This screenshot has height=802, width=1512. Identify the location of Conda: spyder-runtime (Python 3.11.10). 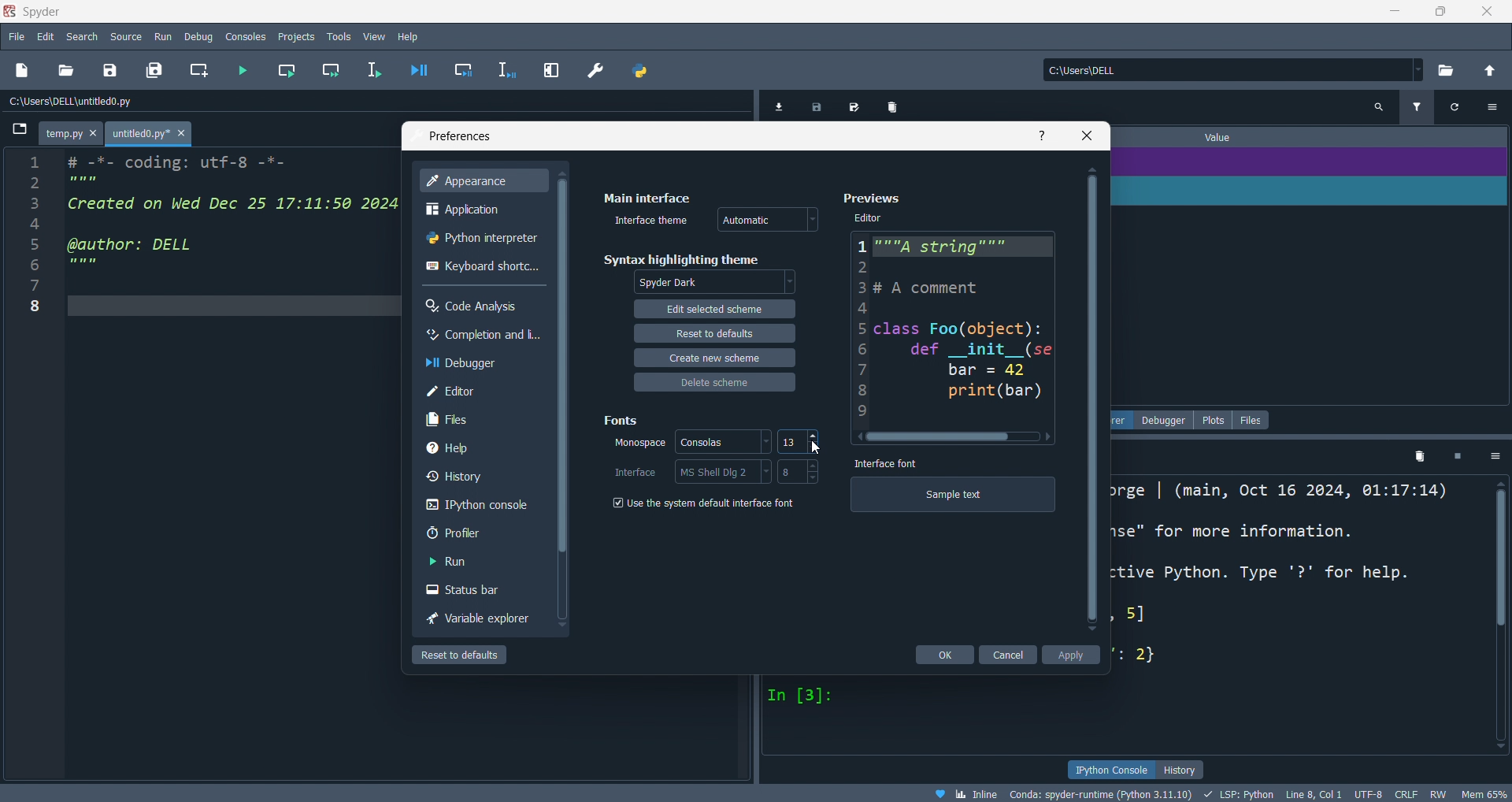
(1099, 793).